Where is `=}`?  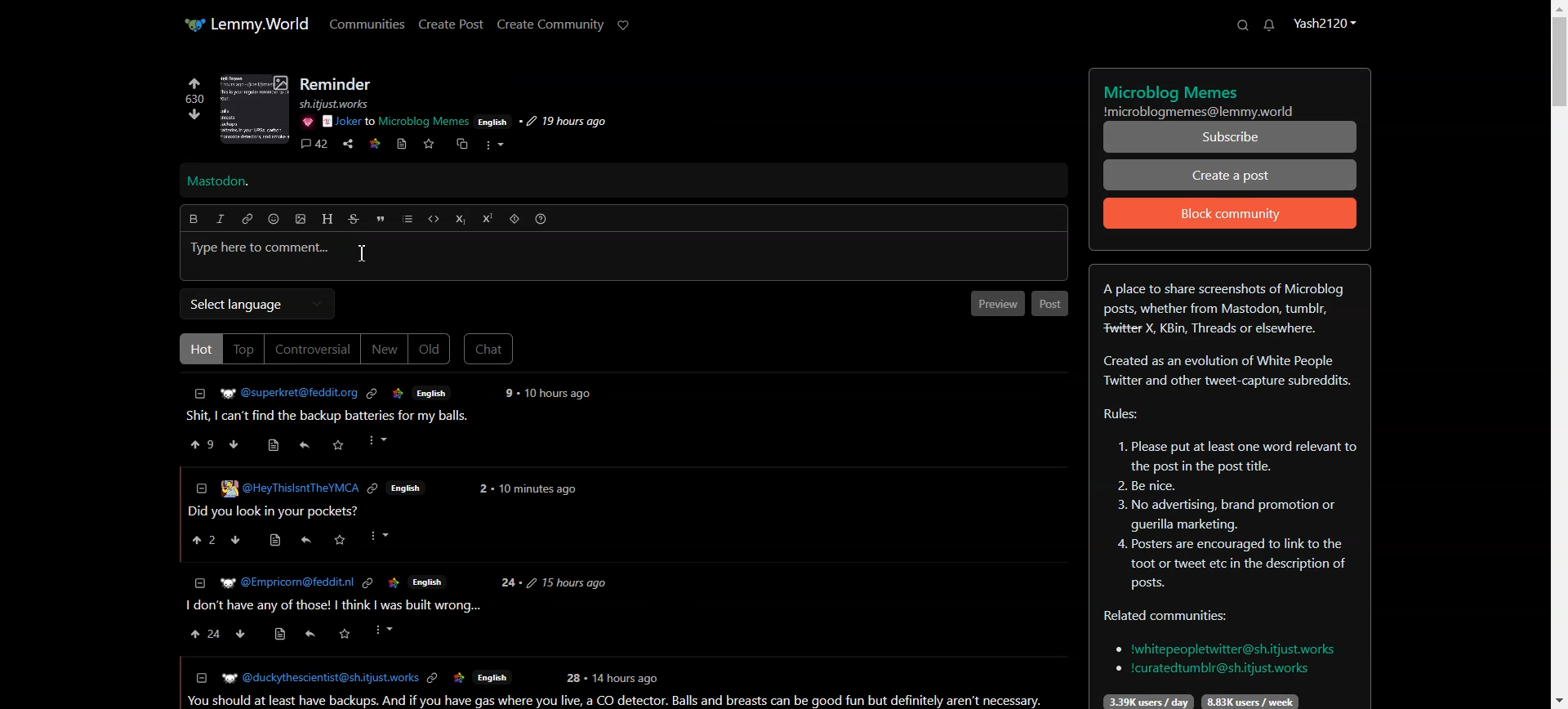
=} is located at coordinates (198, 582).